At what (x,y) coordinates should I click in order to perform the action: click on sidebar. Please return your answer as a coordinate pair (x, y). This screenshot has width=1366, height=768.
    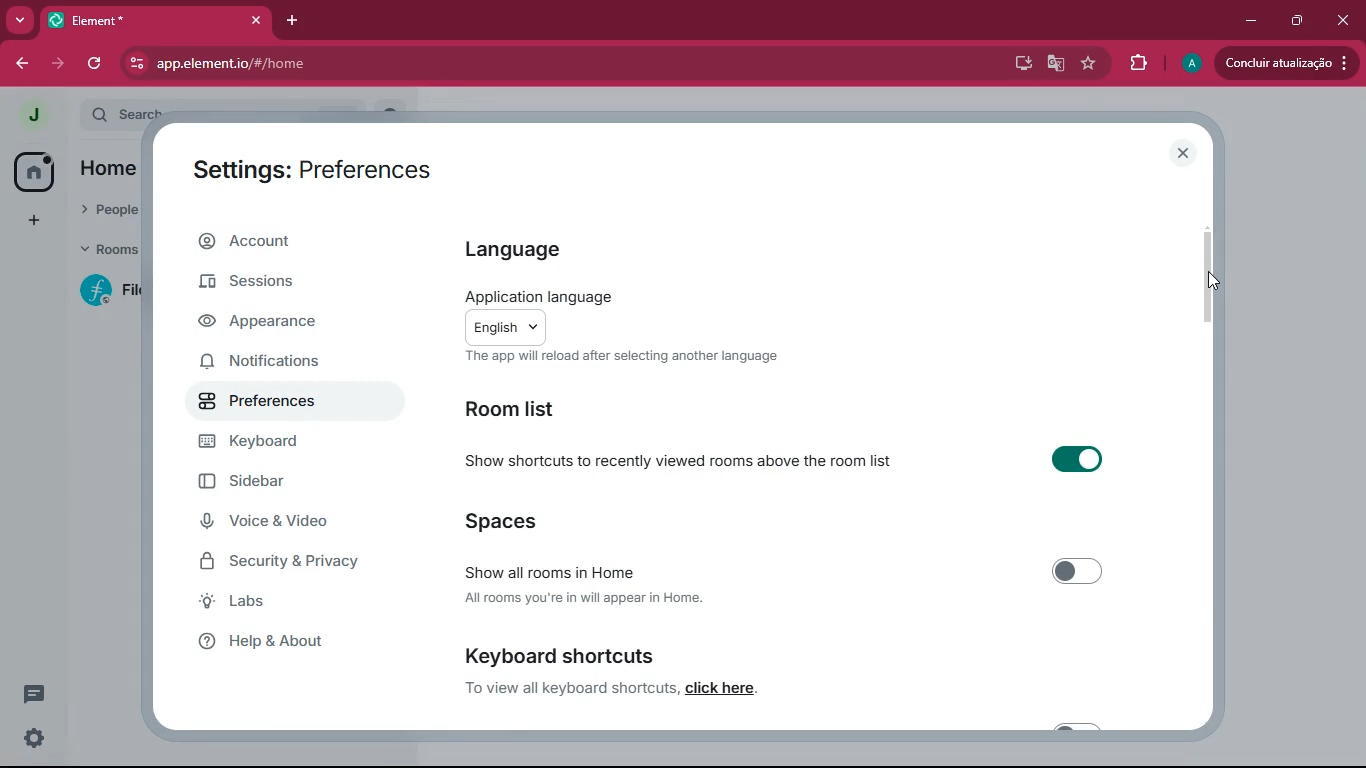
    Looking at the image, I should click on (278, 481).